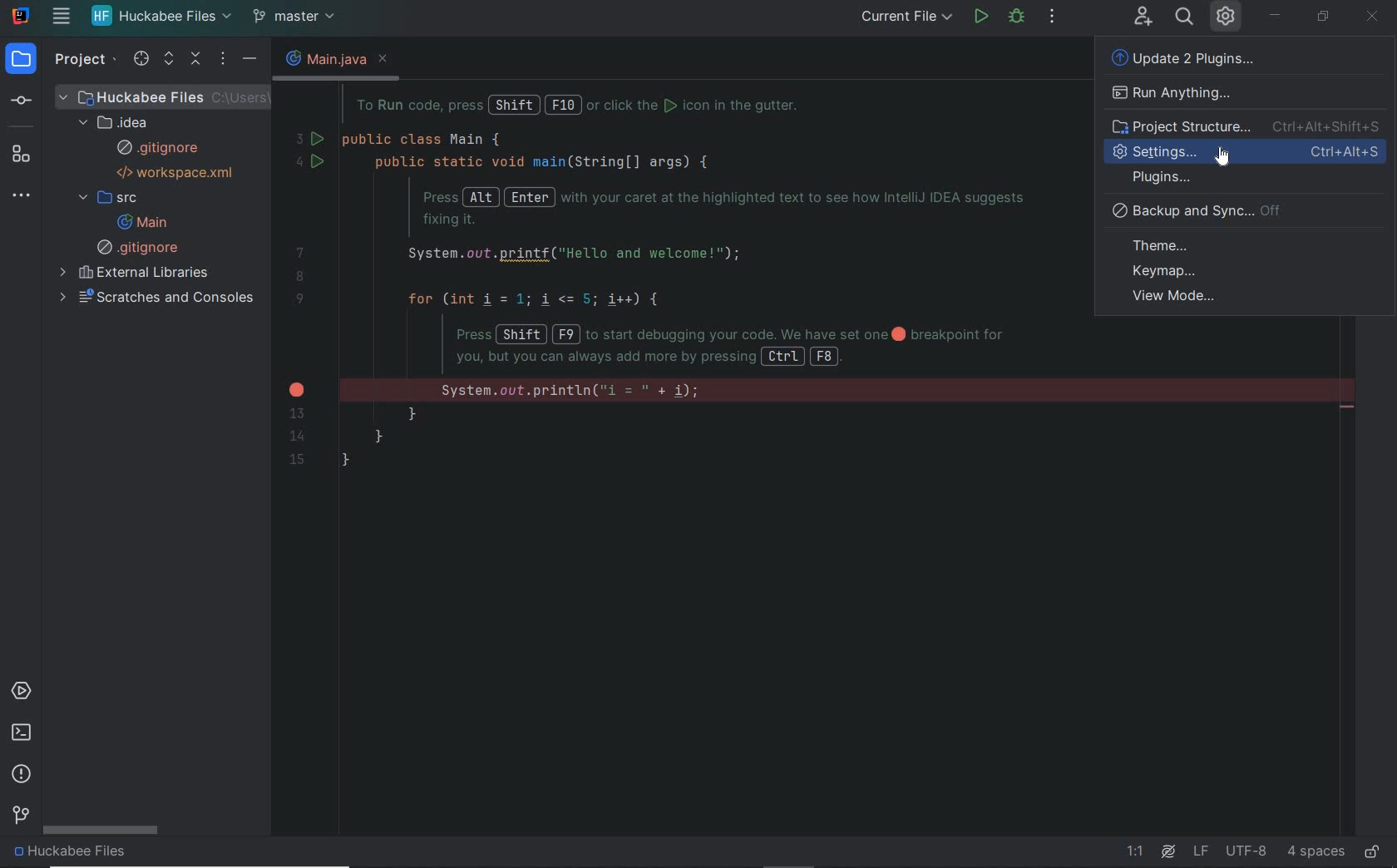 This screenshot has width=1397, height=868. What do you see at coordinates (1370, 18) in the screenshot?
I see `close` at bounding box center [1370, 18].